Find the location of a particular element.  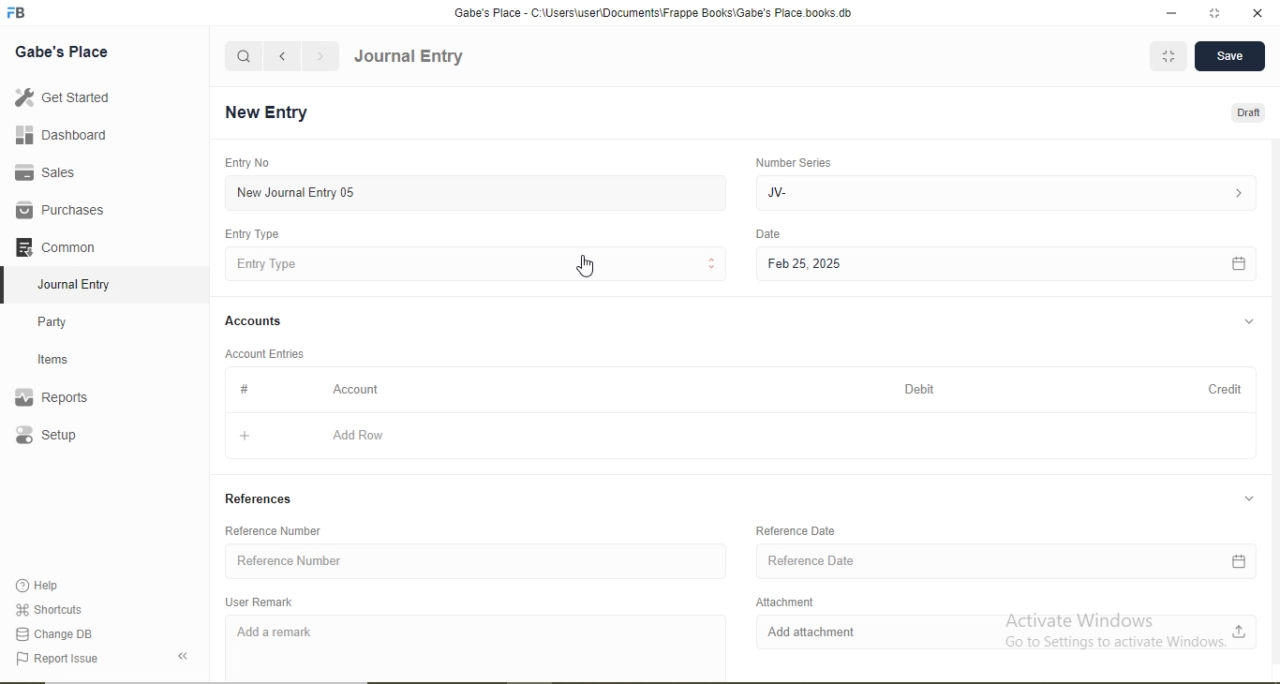

Number Series is located at coordinates (792, 162).